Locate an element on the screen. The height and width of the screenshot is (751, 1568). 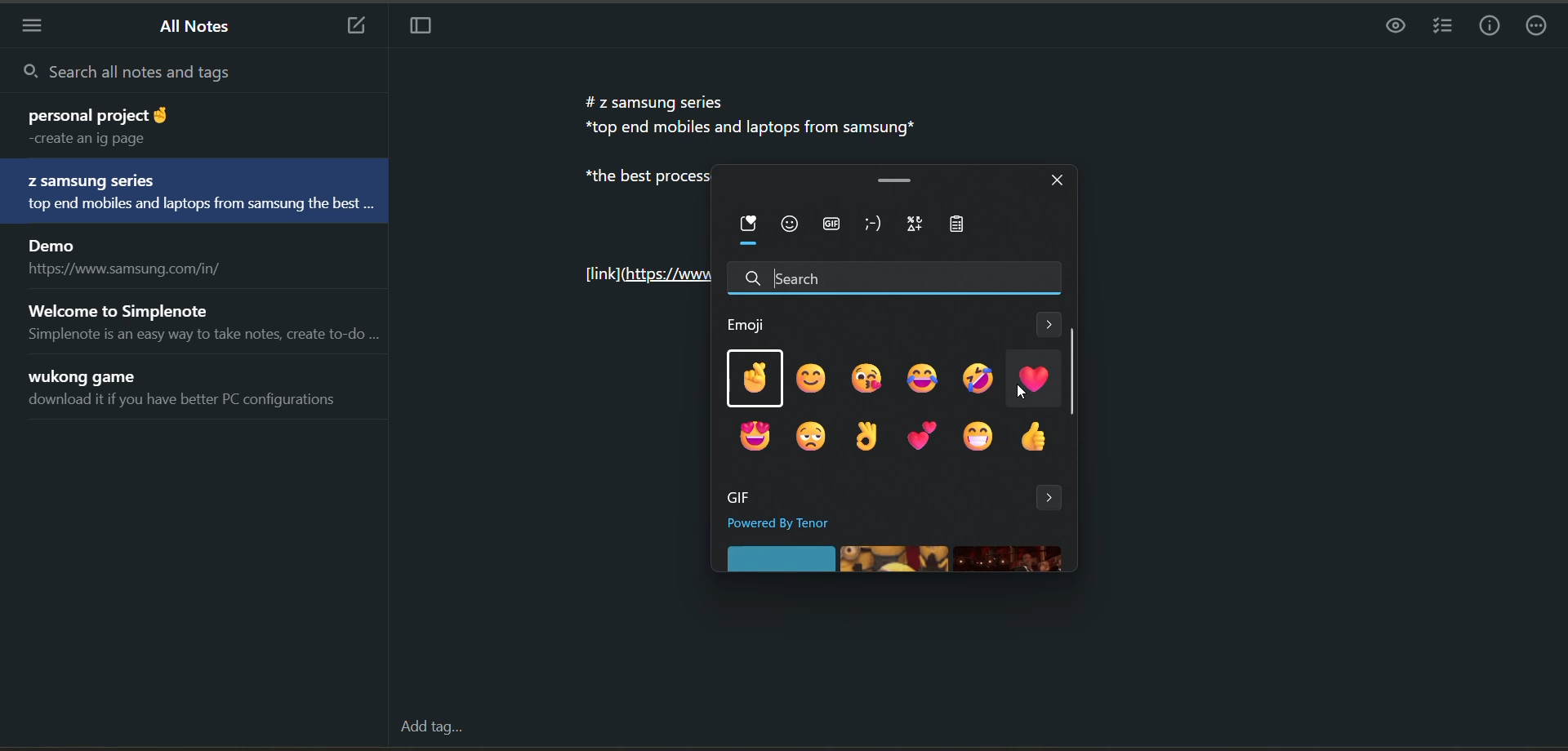
emoji 8 is located at coordinates (806, 437).